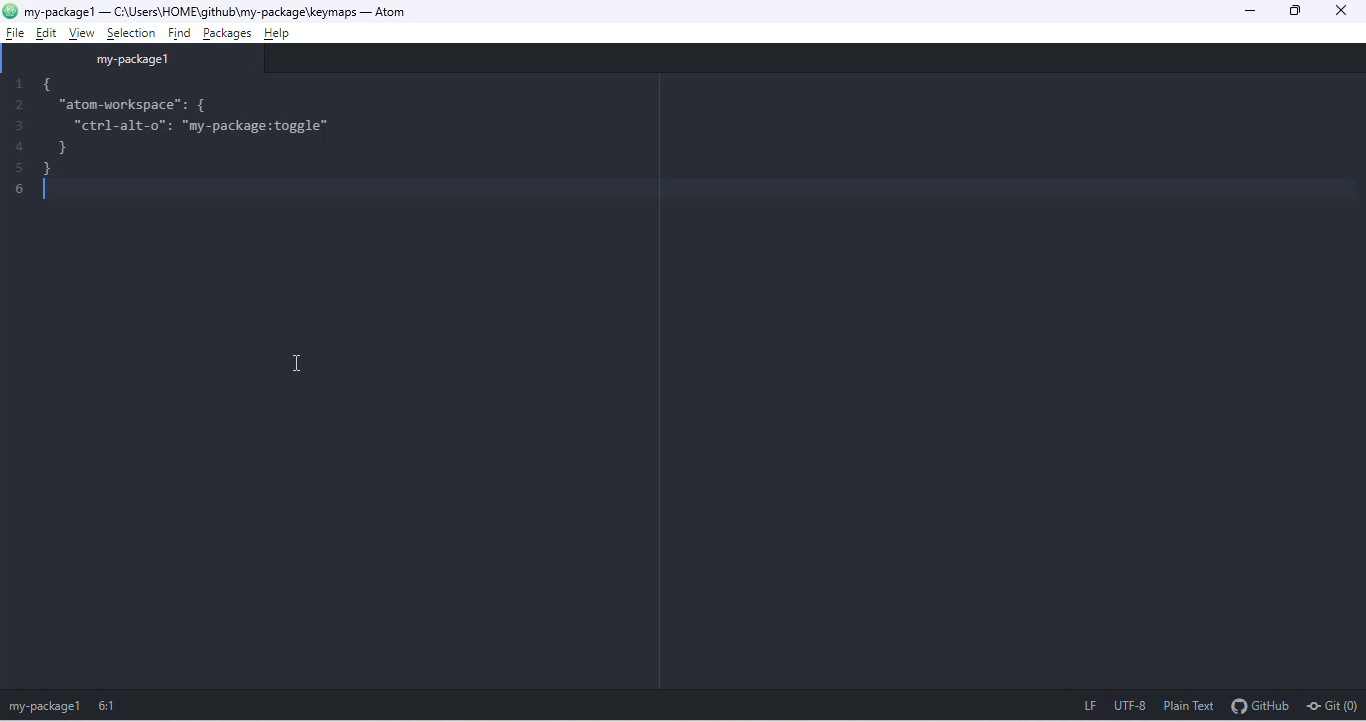 The height and width of the screenshot is (722, 1366). I want to click on file, so click(12, 34).